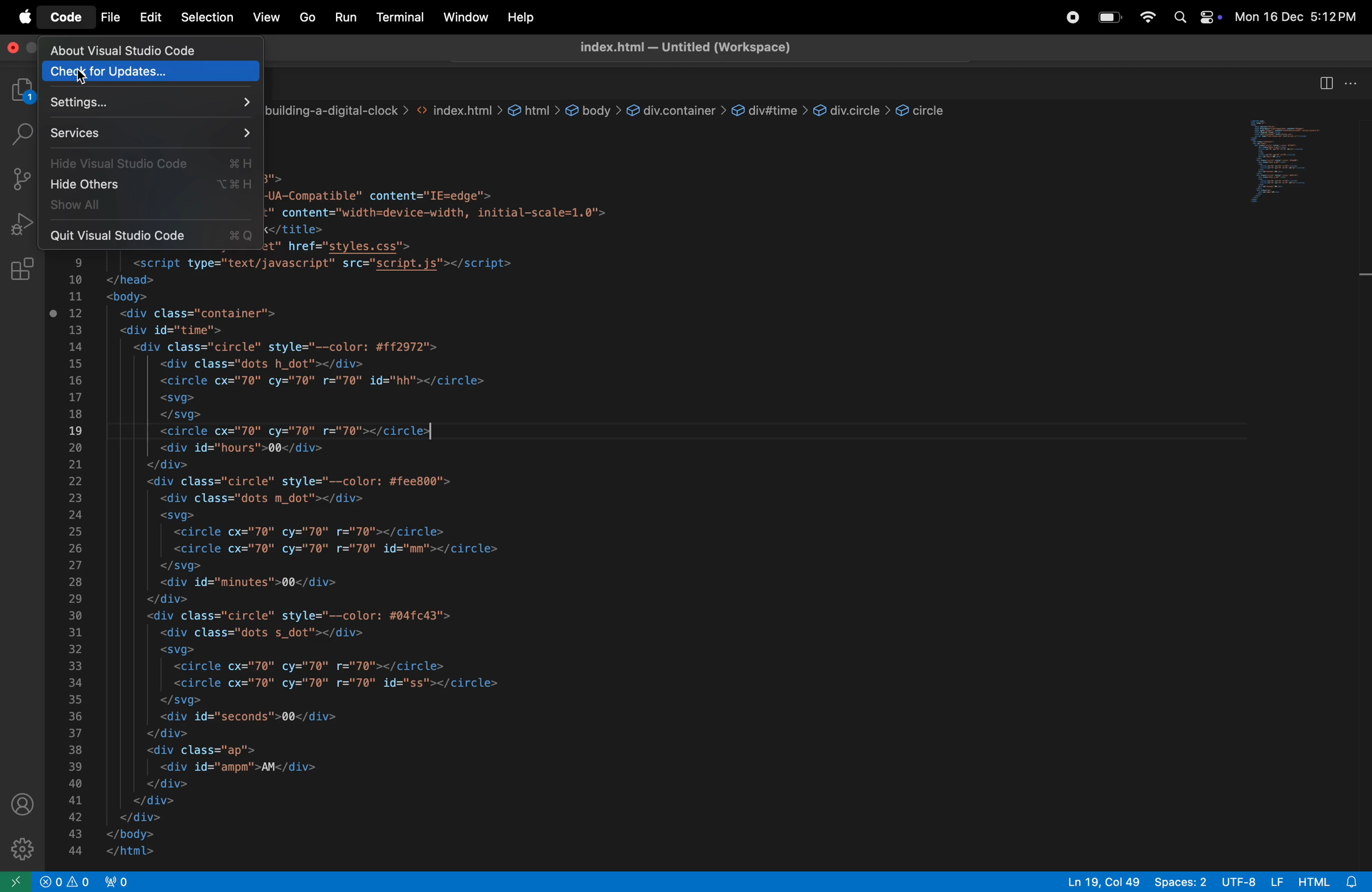  I want to click on <svg>, so click(176, 516).